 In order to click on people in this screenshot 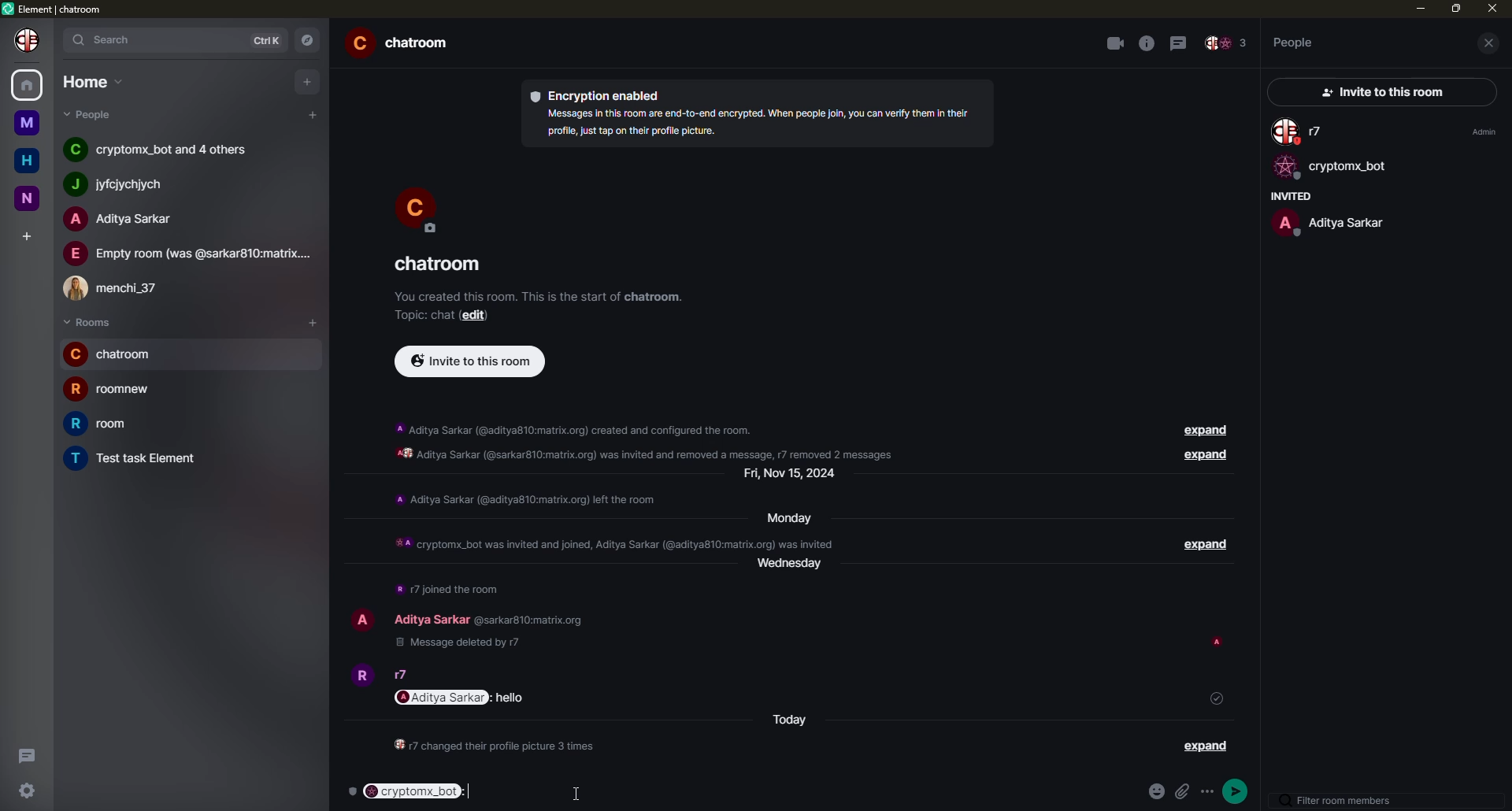, I will do `click(1295, 42)`.